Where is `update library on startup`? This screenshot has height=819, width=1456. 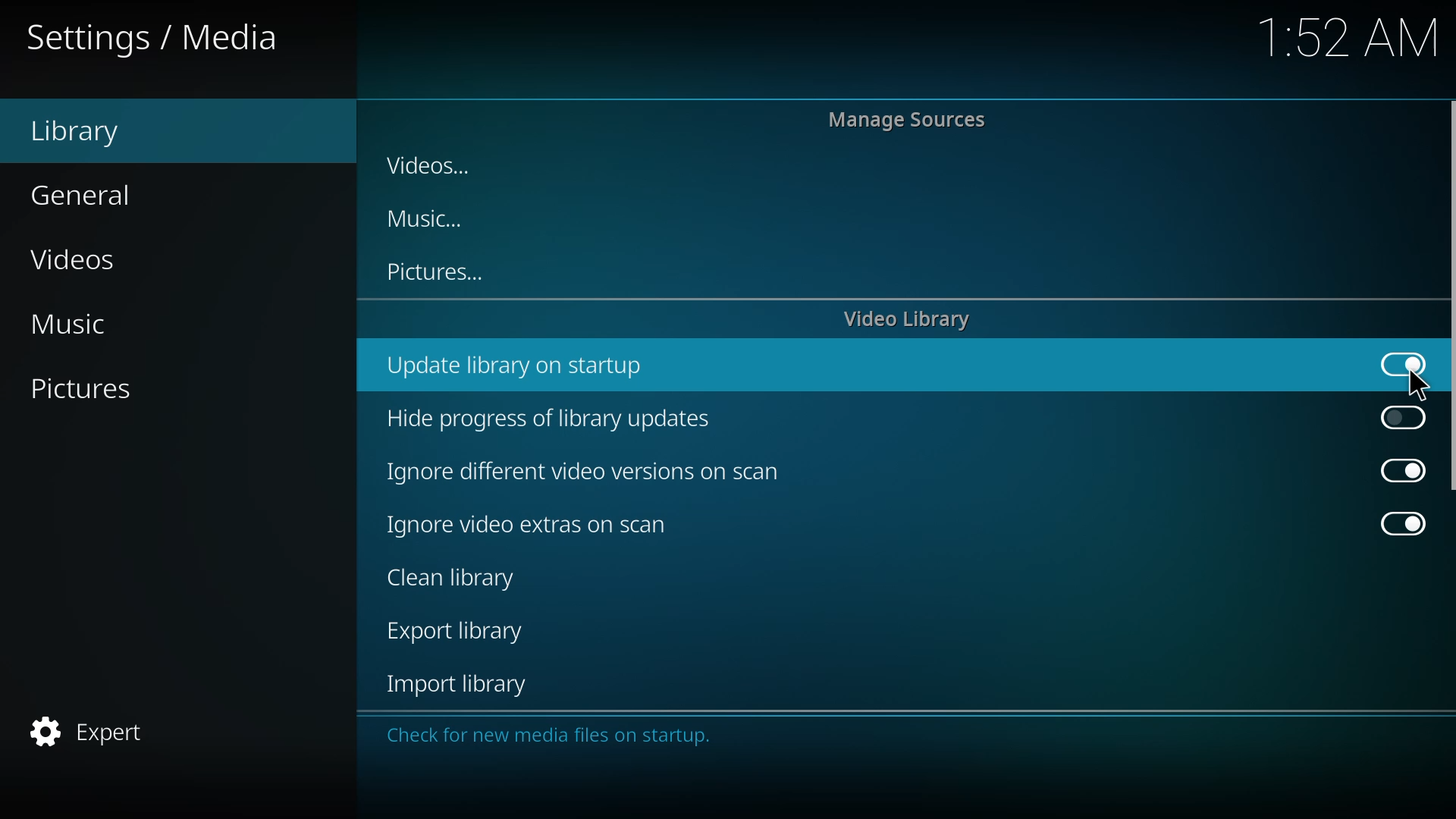
update library on startup is located at coordinates (522, 366).